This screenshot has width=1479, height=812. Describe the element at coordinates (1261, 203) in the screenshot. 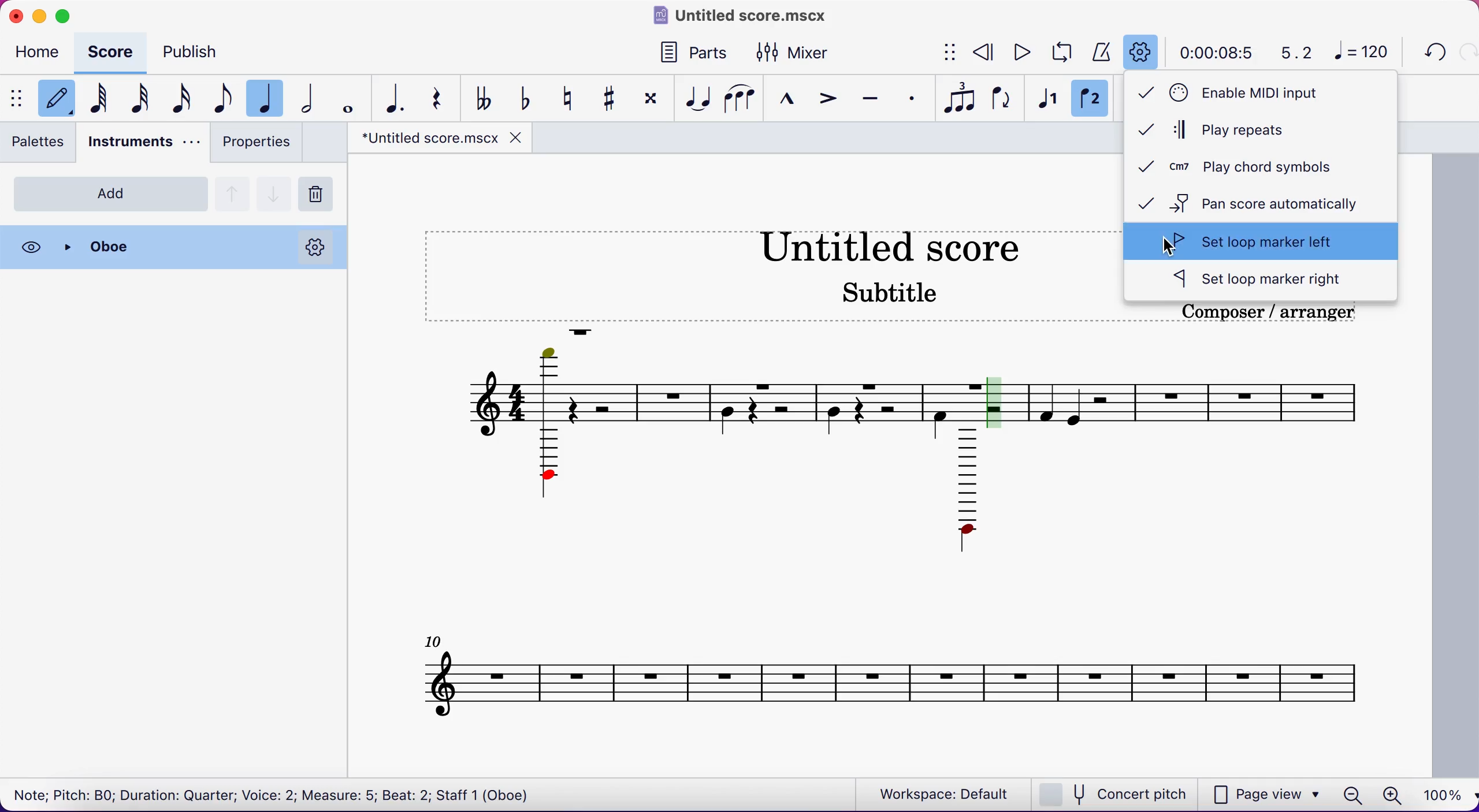

I see `pan score automatically` at that location.